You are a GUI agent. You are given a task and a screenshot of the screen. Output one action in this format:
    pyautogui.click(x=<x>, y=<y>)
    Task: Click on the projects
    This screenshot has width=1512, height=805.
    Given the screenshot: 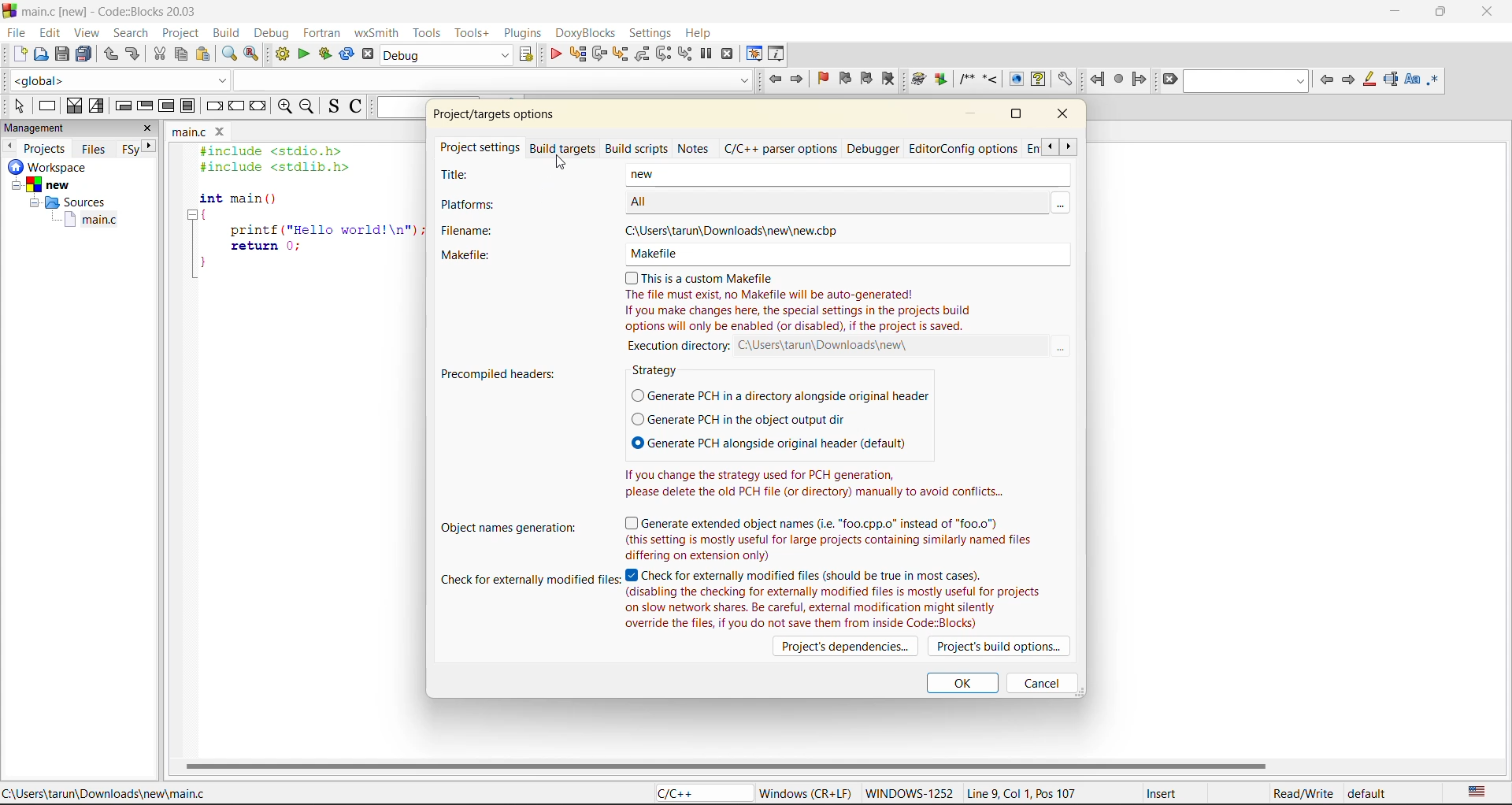 What is the action you would take?
    pyautogui.click(x=46, y=148)
    